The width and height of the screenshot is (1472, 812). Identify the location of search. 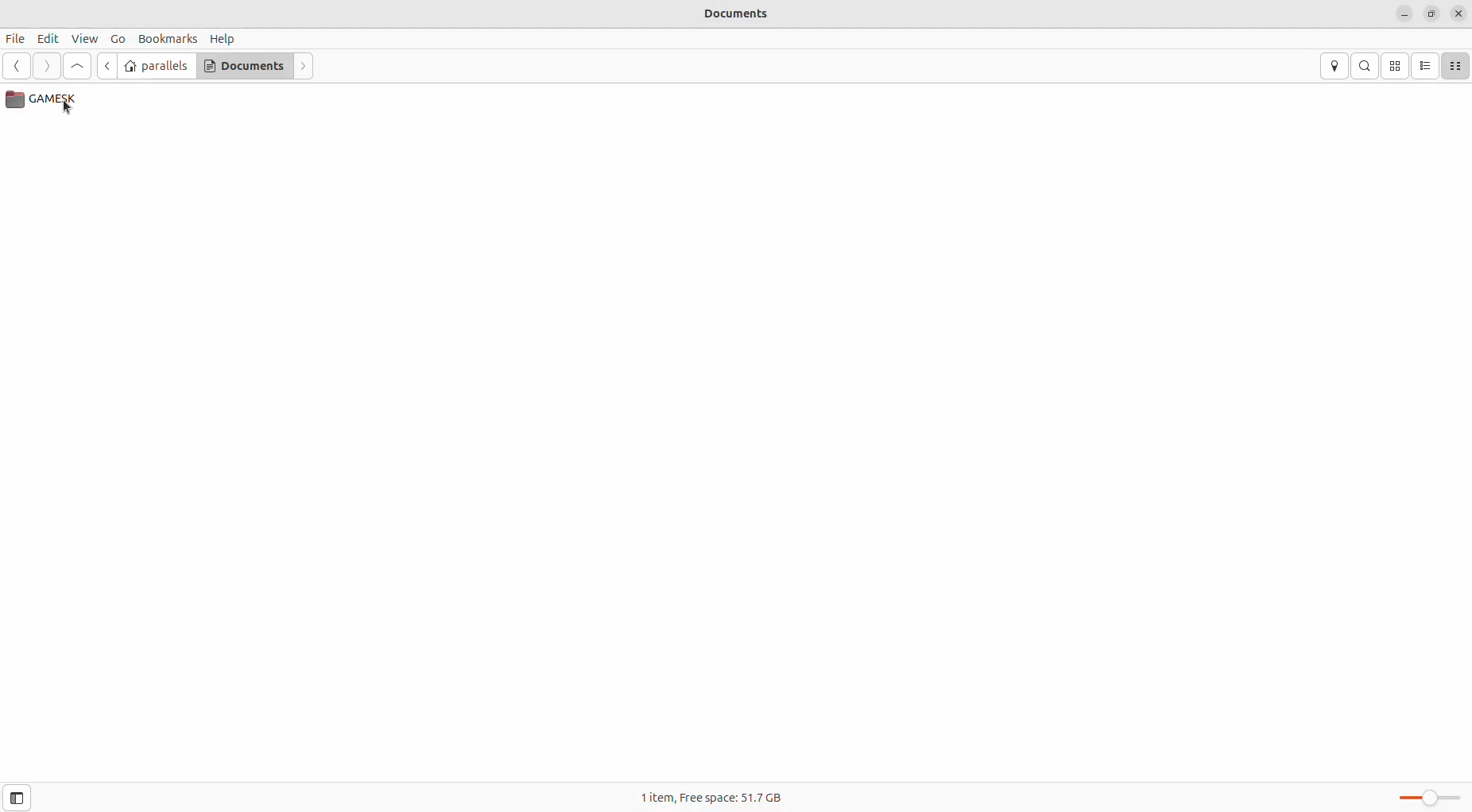
(1365, 66).